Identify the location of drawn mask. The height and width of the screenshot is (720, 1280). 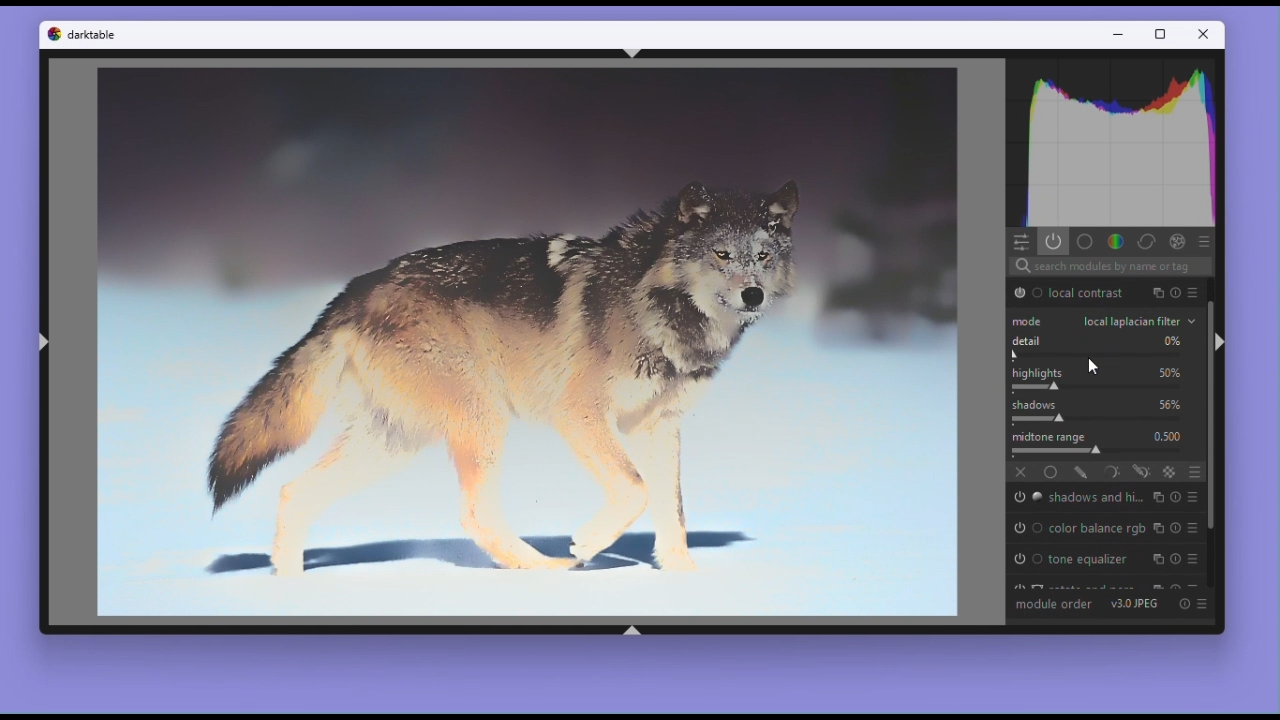
(1083, 471).